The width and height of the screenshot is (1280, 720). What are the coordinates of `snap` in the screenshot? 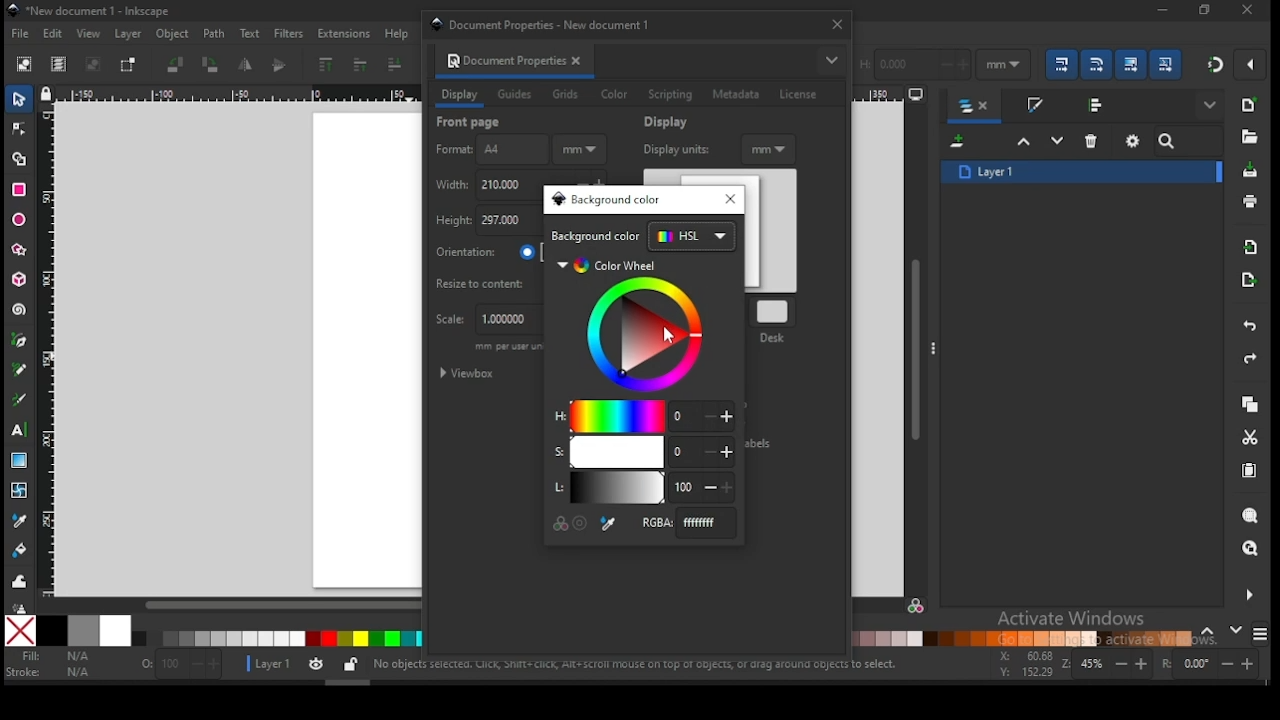 It's located at (1216, 64).